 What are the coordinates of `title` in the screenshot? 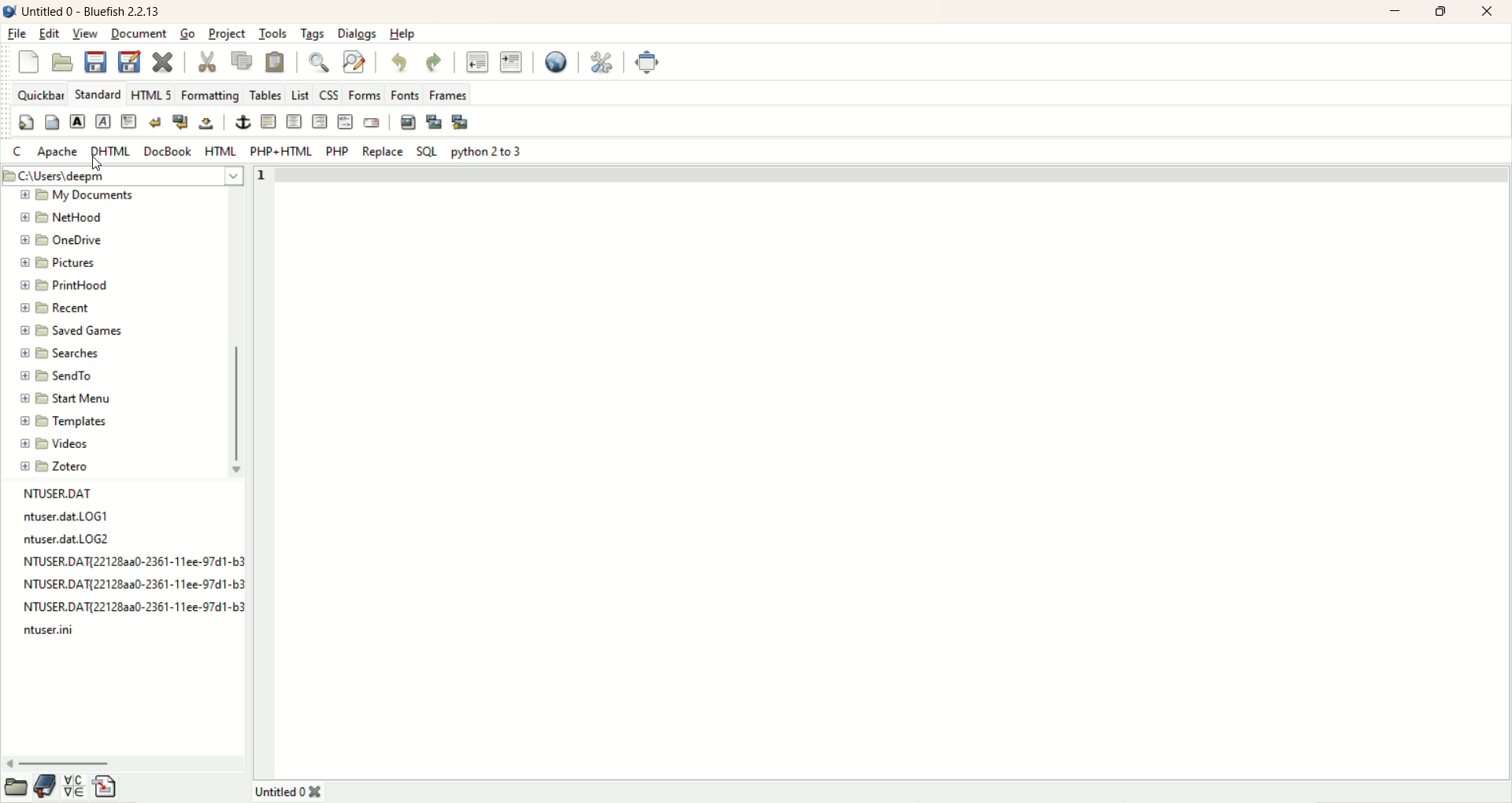 It's located at (287, 790).